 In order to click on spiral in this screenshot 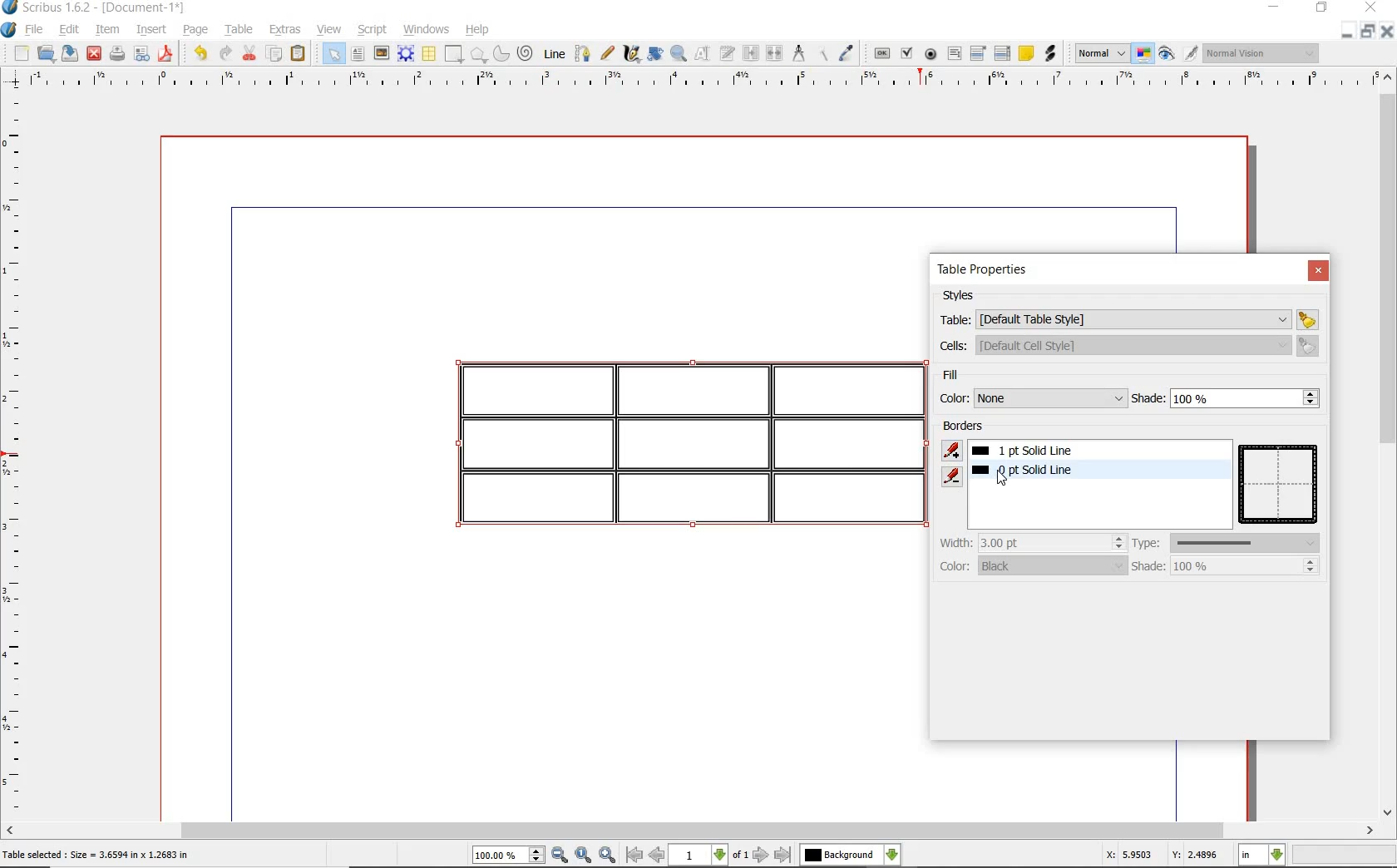, I will do `click(526, 54)`.